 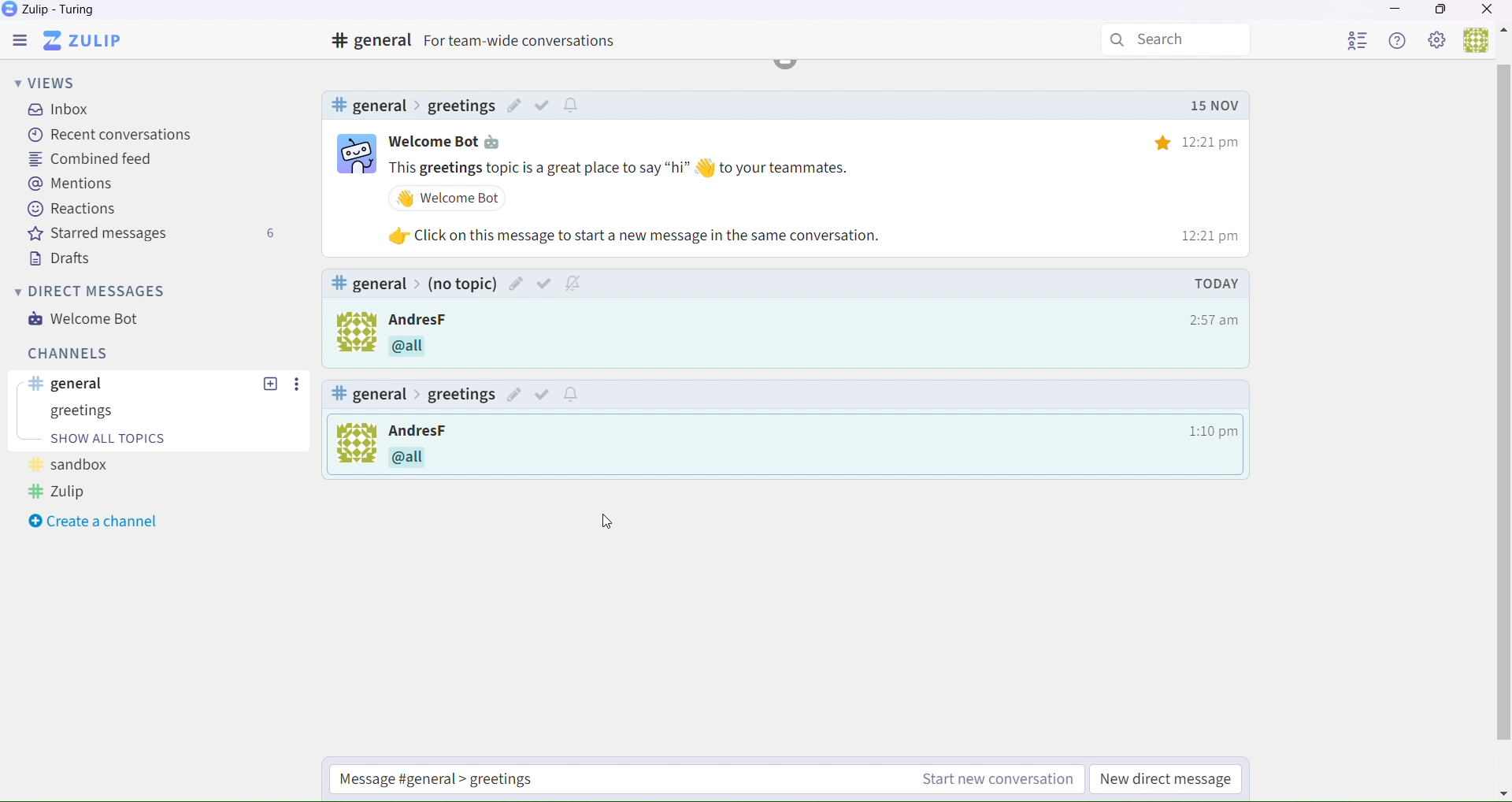 I want to click on Settings, so click(x=1440, y=42).